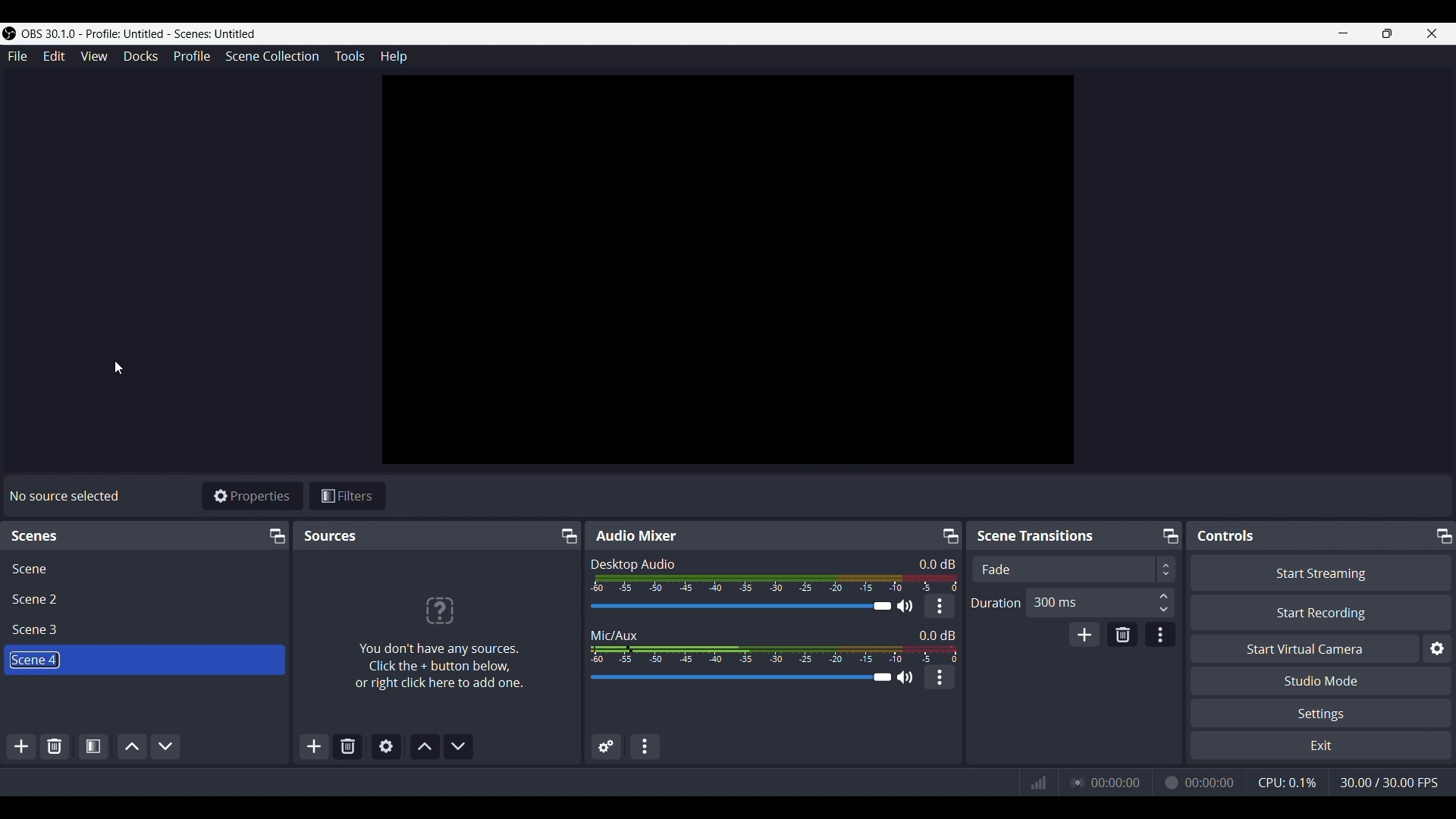  I want to click on Remove selected scene(s), so click(348, 745).